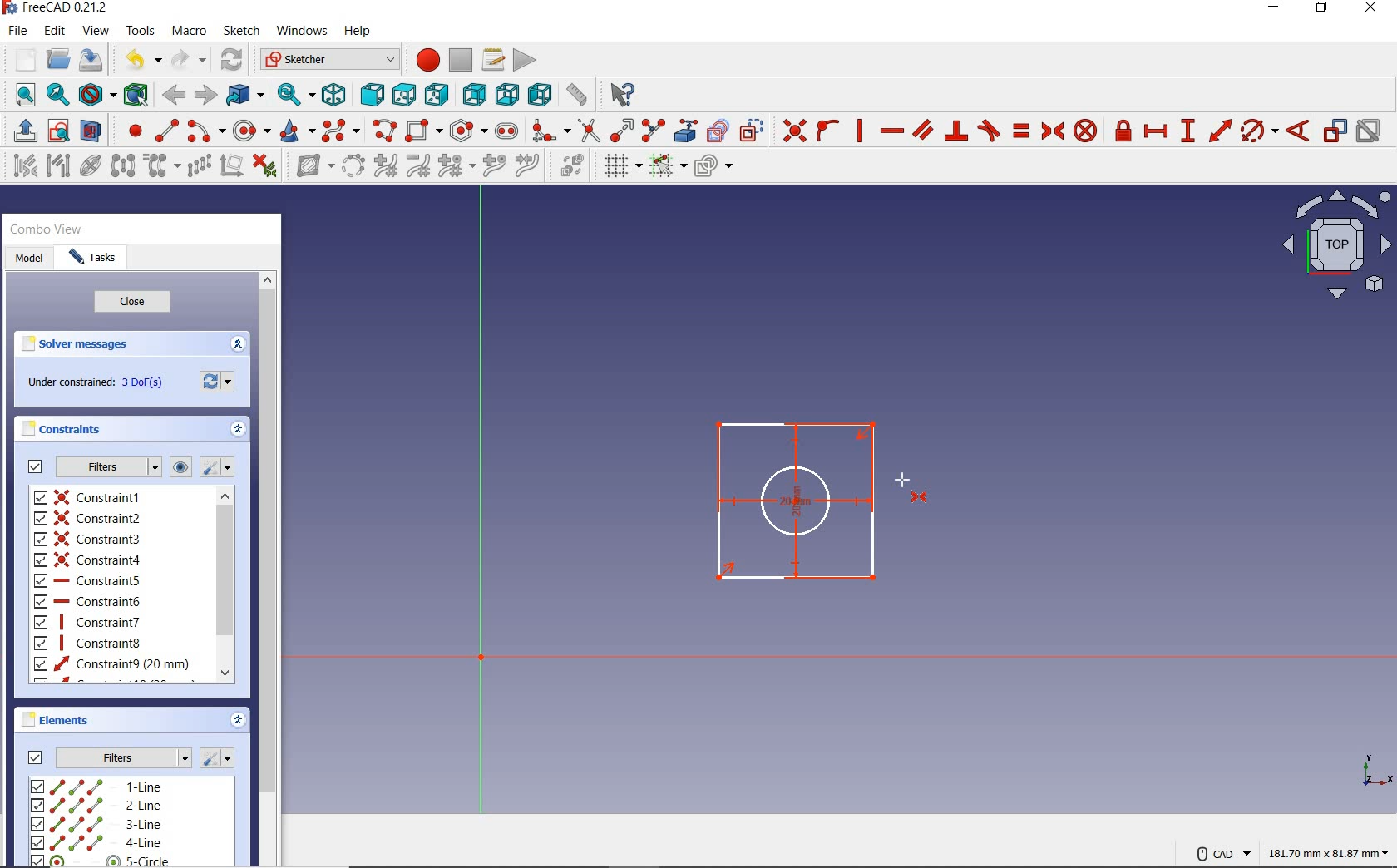  Describe the element at coordinates (343, 130) in the screenshot. I see `create B-spline` at that location.